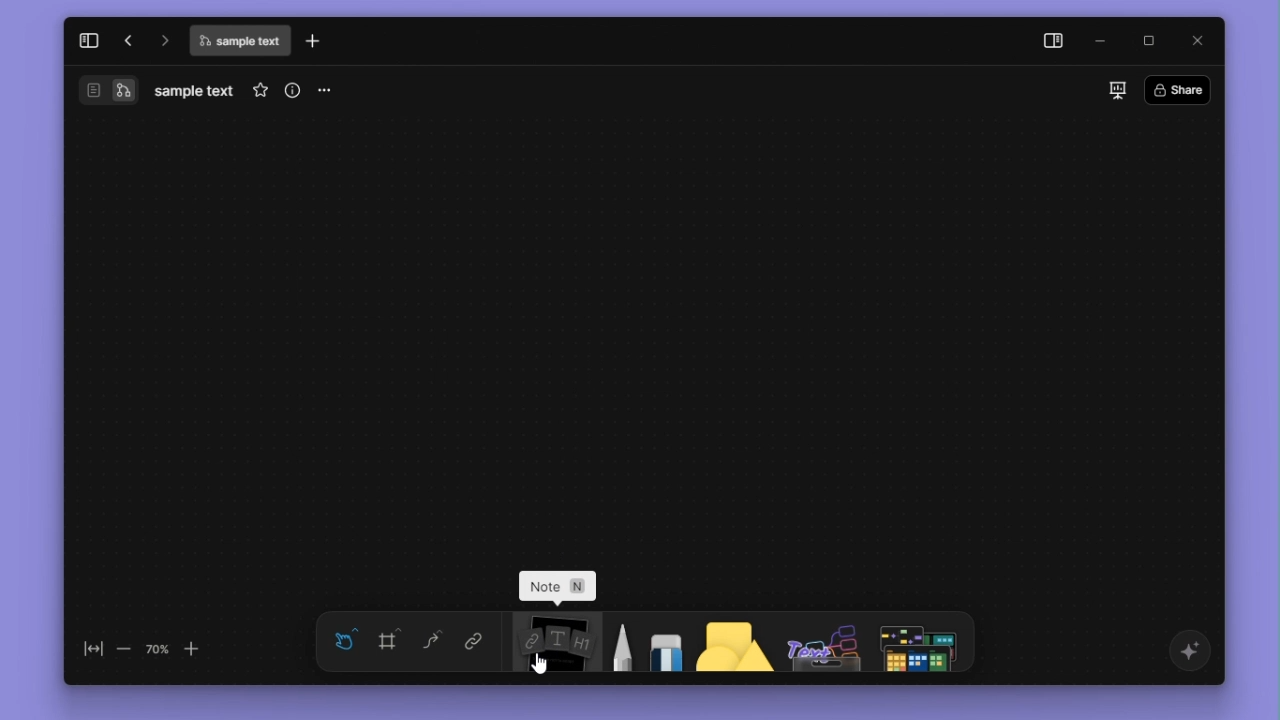 This screenshot has height=720, width=1280. I want to click on 70%, so click(157, 648).